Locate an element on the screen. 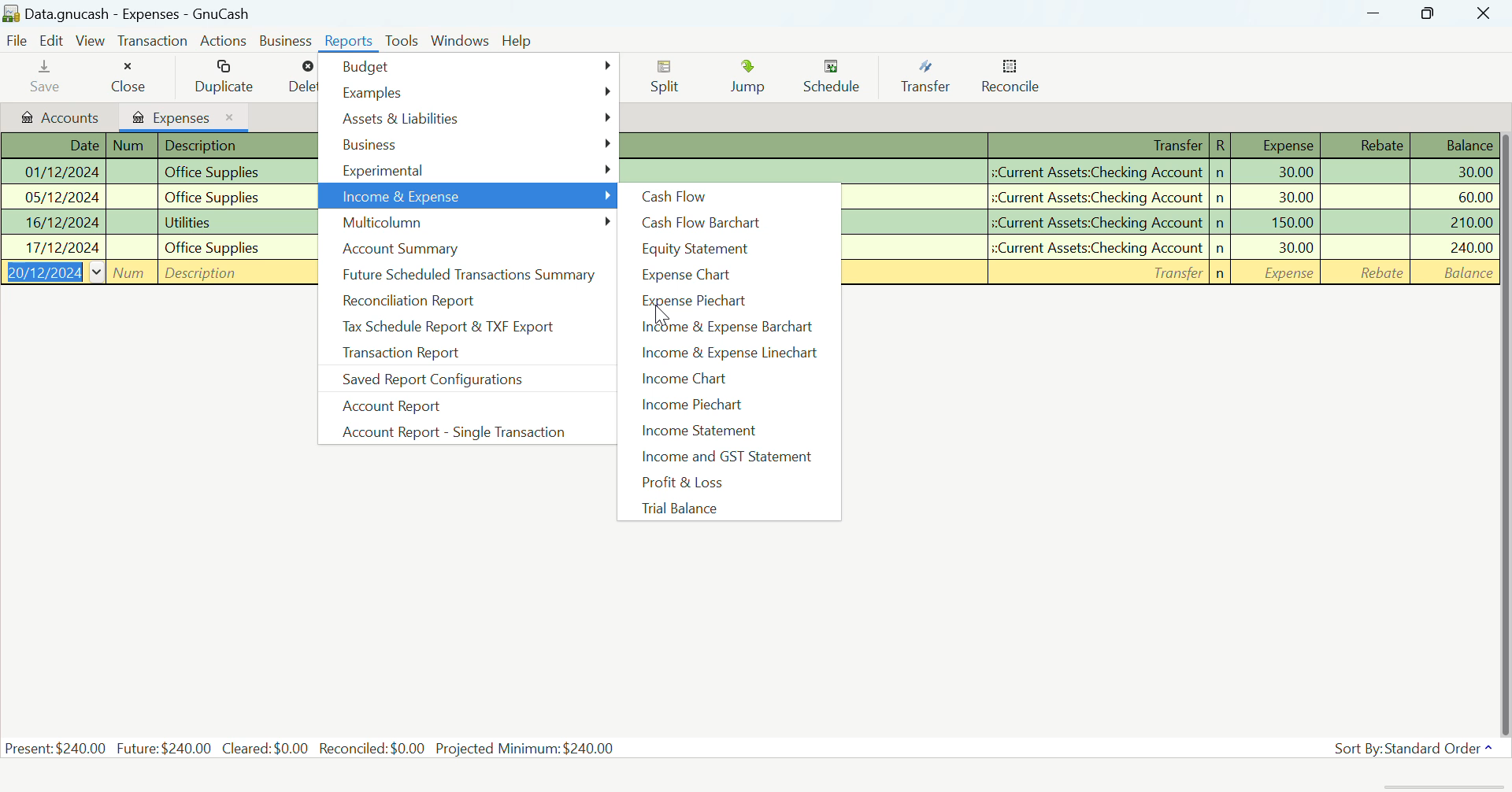  Delete is located at coordinates (303, 80).